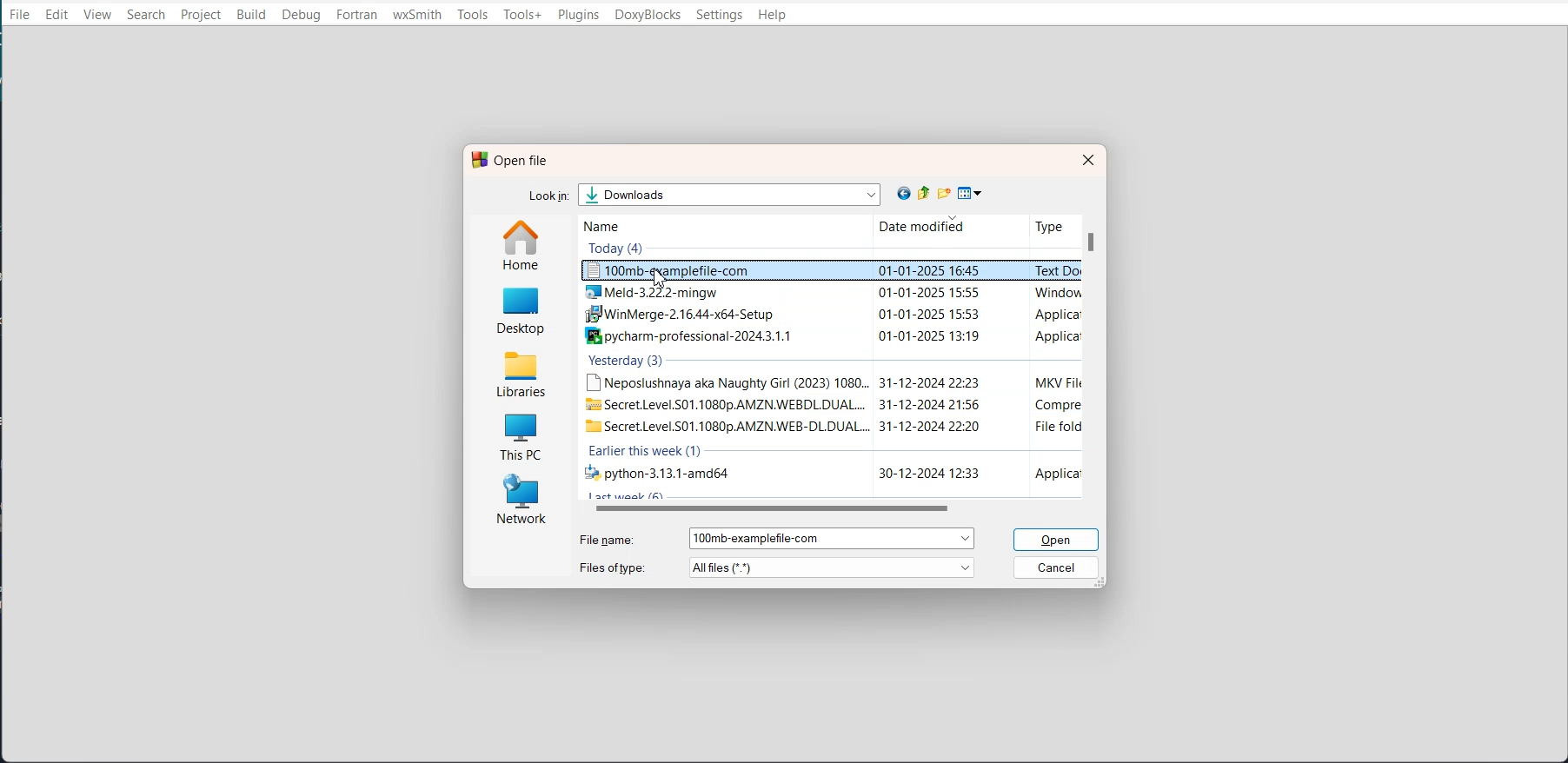  I want to click on Naughty Girl (2023), so click(828, 381).